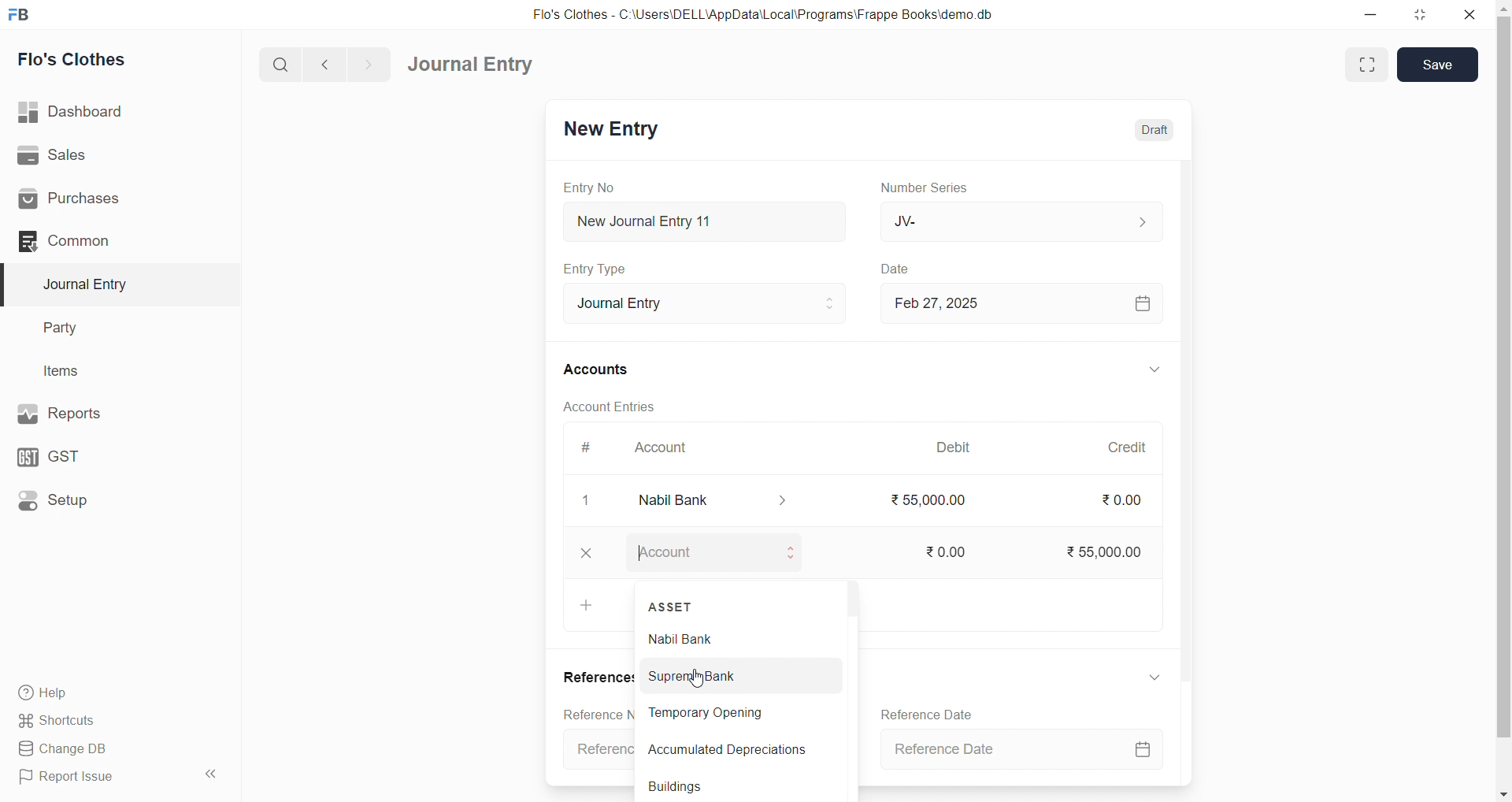  What do you see at coordinates (724, 555) in the screenshot?
I see `Account` at bounding box center [724, 555].